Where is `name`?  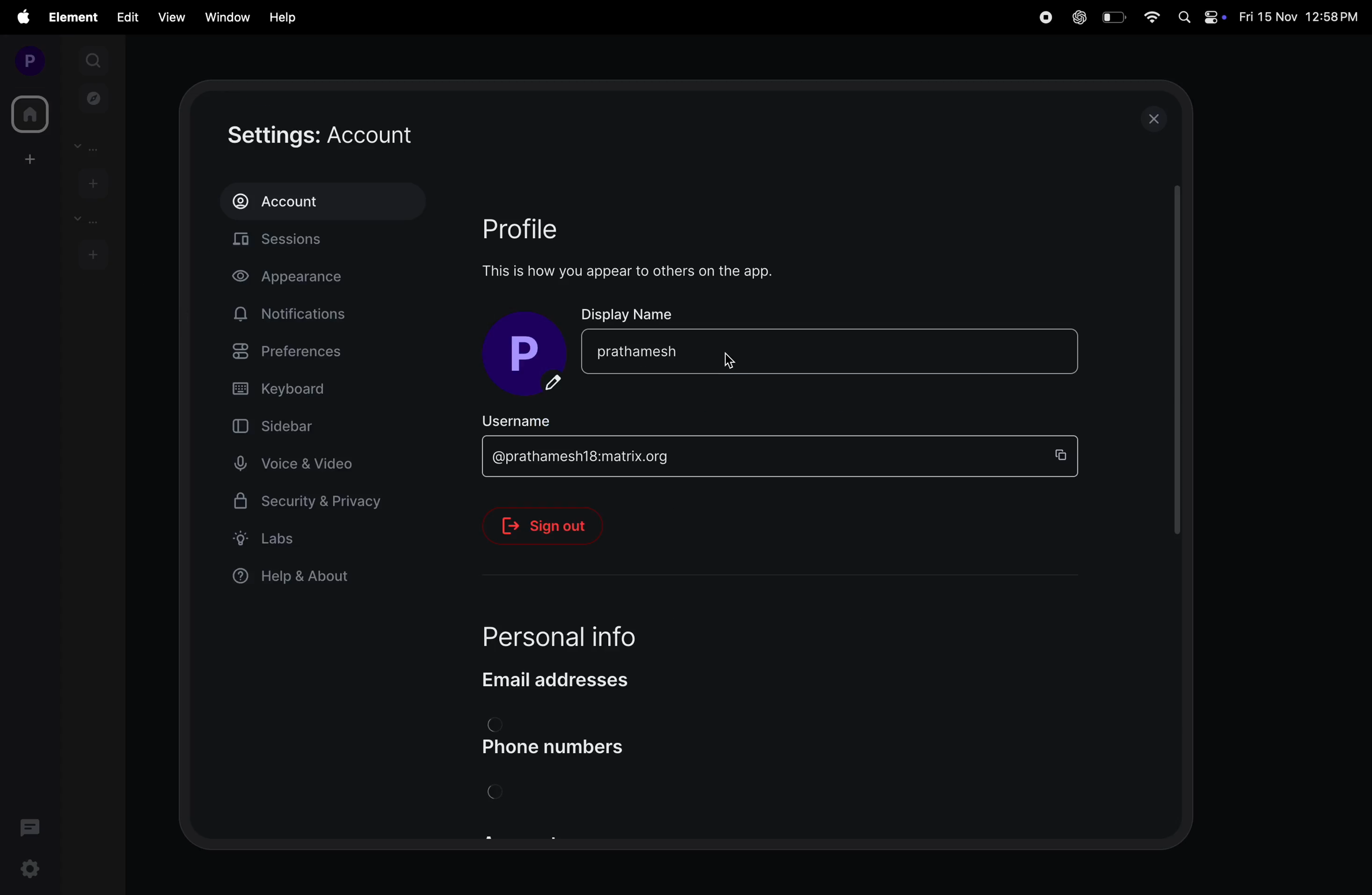
name is located at coordinates (832, 350).